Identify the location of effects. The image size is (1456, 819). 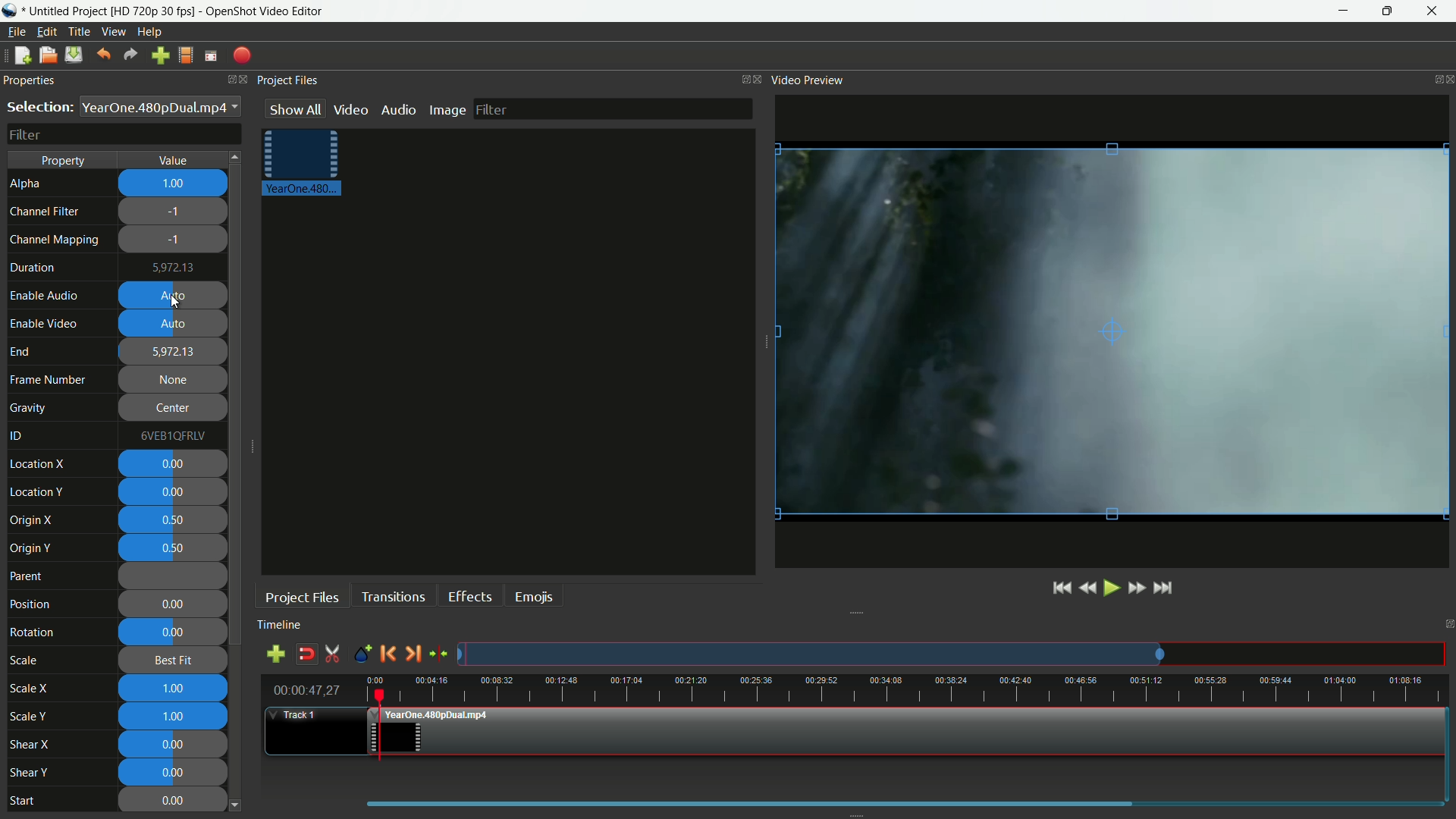
(467, 595).